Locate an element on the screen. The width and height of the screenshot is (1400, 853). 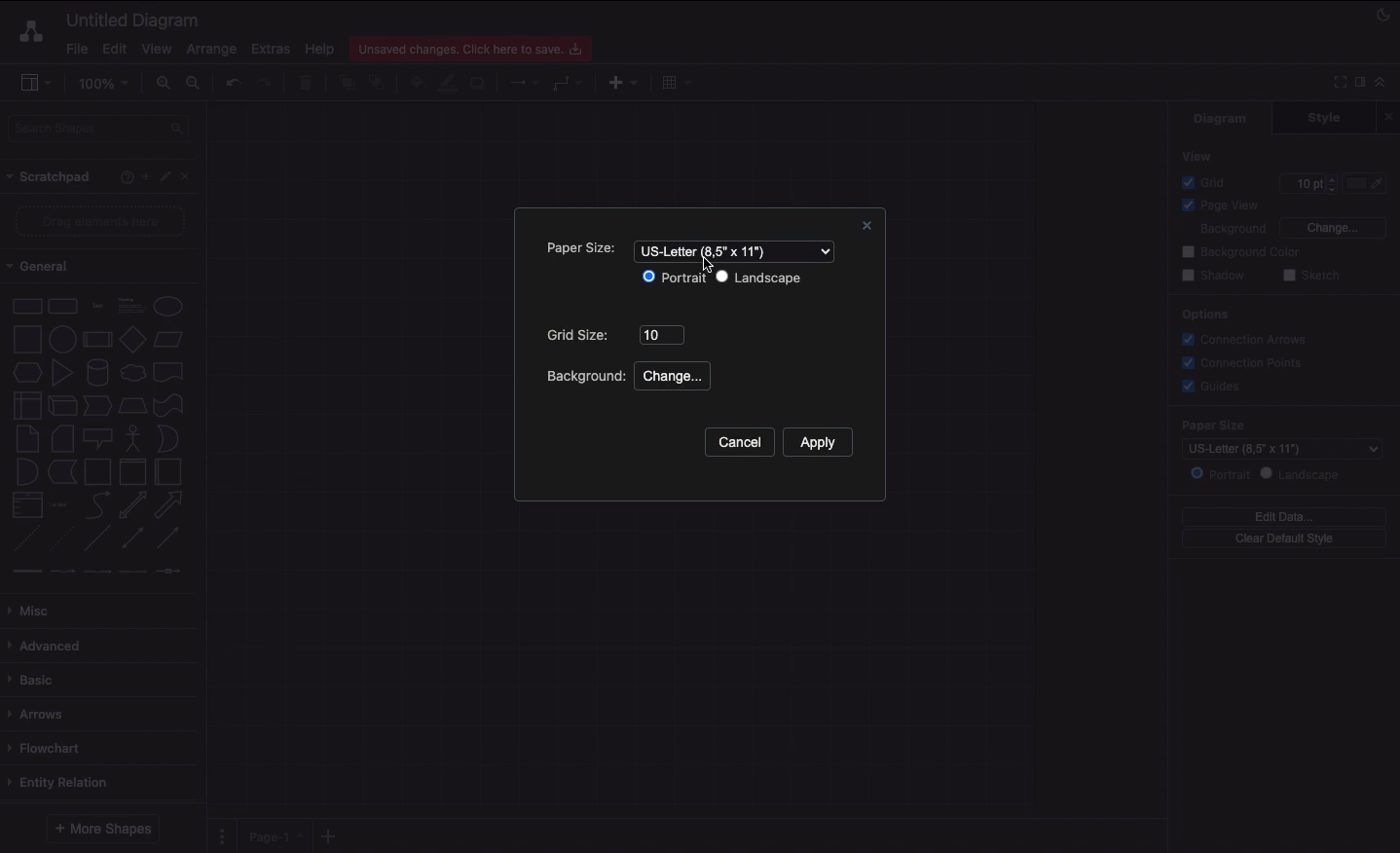
Arrange is located at coordinates (212, 50).